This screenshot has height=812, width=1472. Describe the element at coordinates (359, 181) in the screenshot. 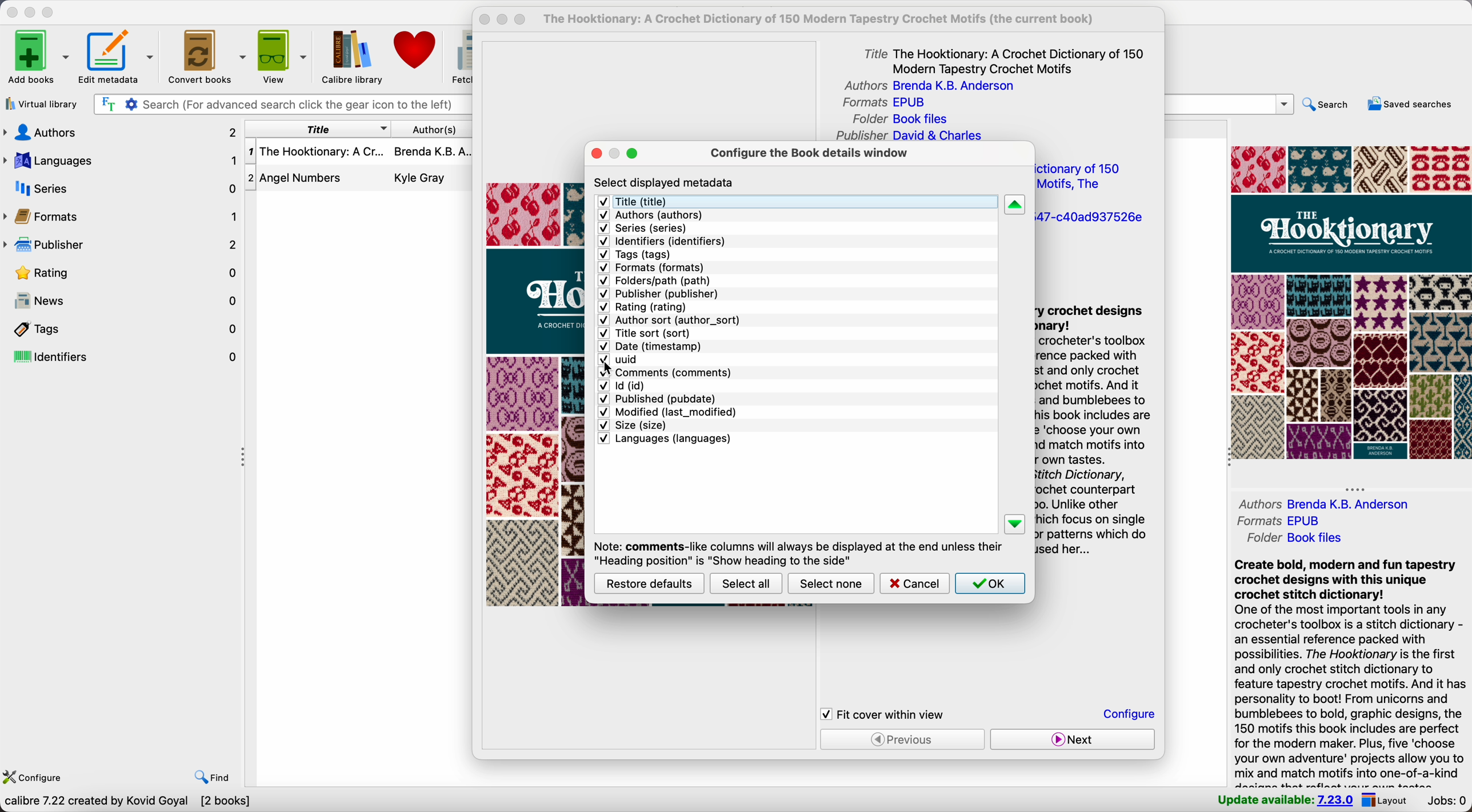

I see `Angel numbers book details` at that location.